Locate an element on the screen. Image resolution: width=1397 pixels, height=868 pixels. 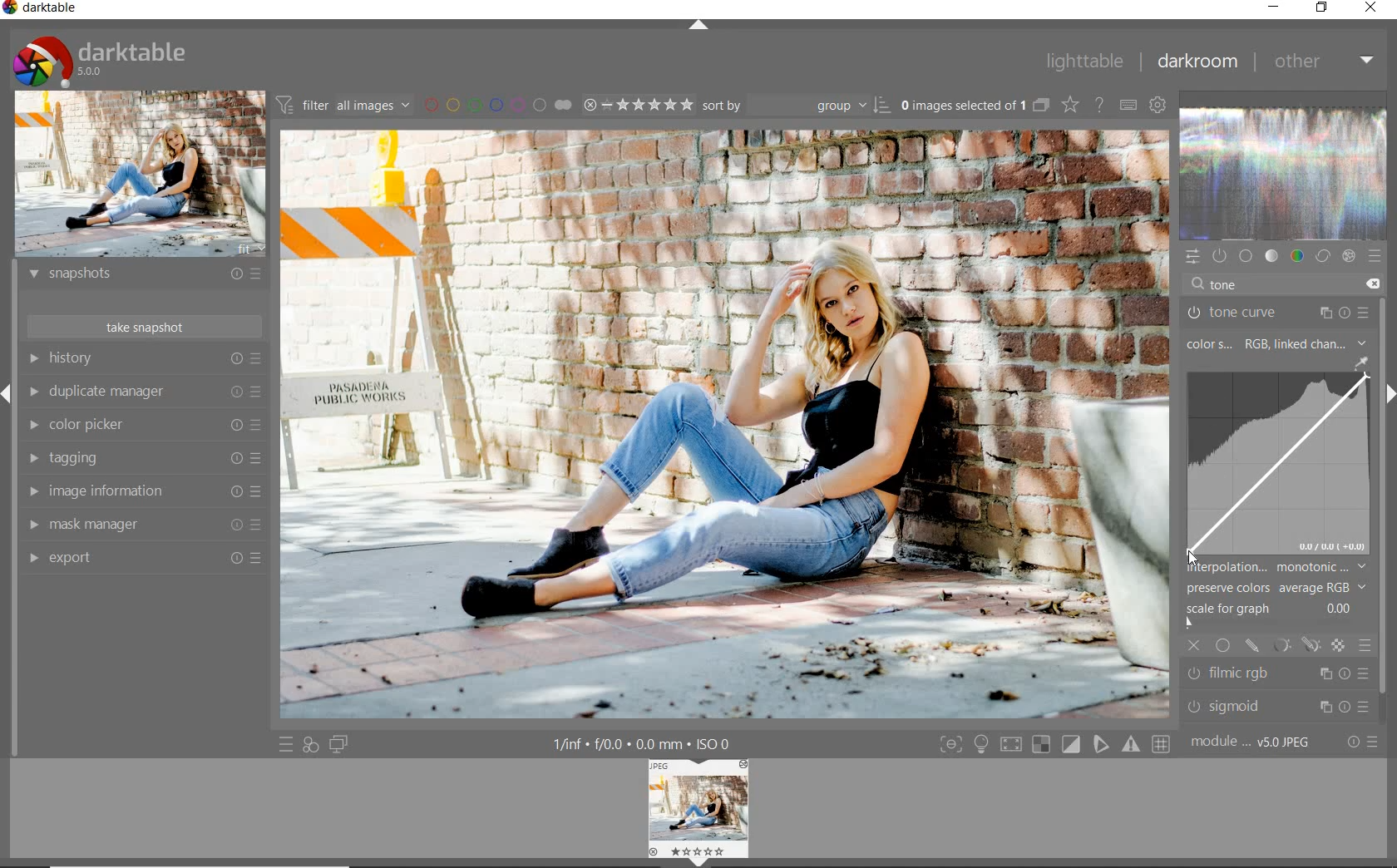
filmic rgb is located at coordinates (1278, 674).